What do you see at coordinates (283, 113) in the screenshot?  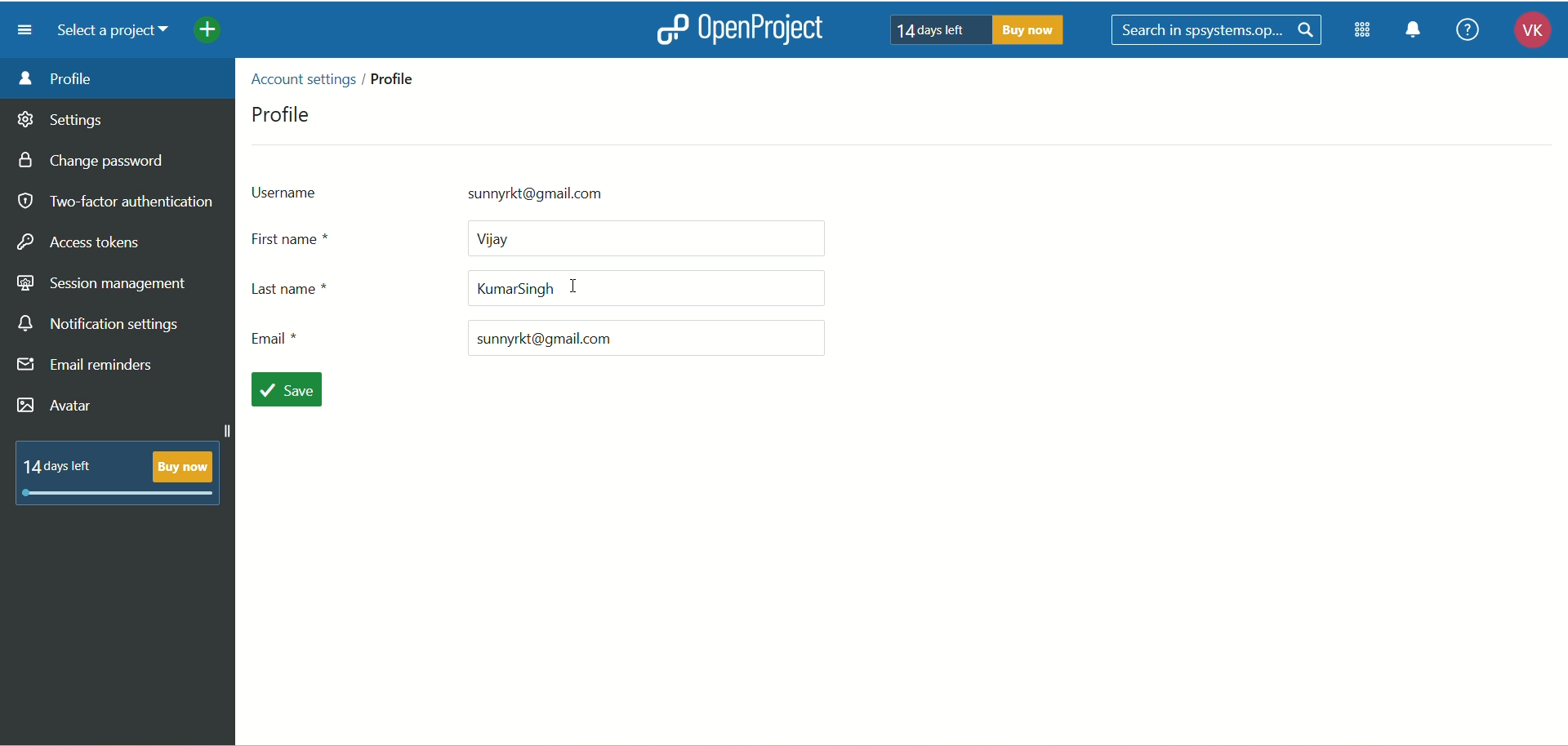 I see `profile` at bounding box center [283, 113].